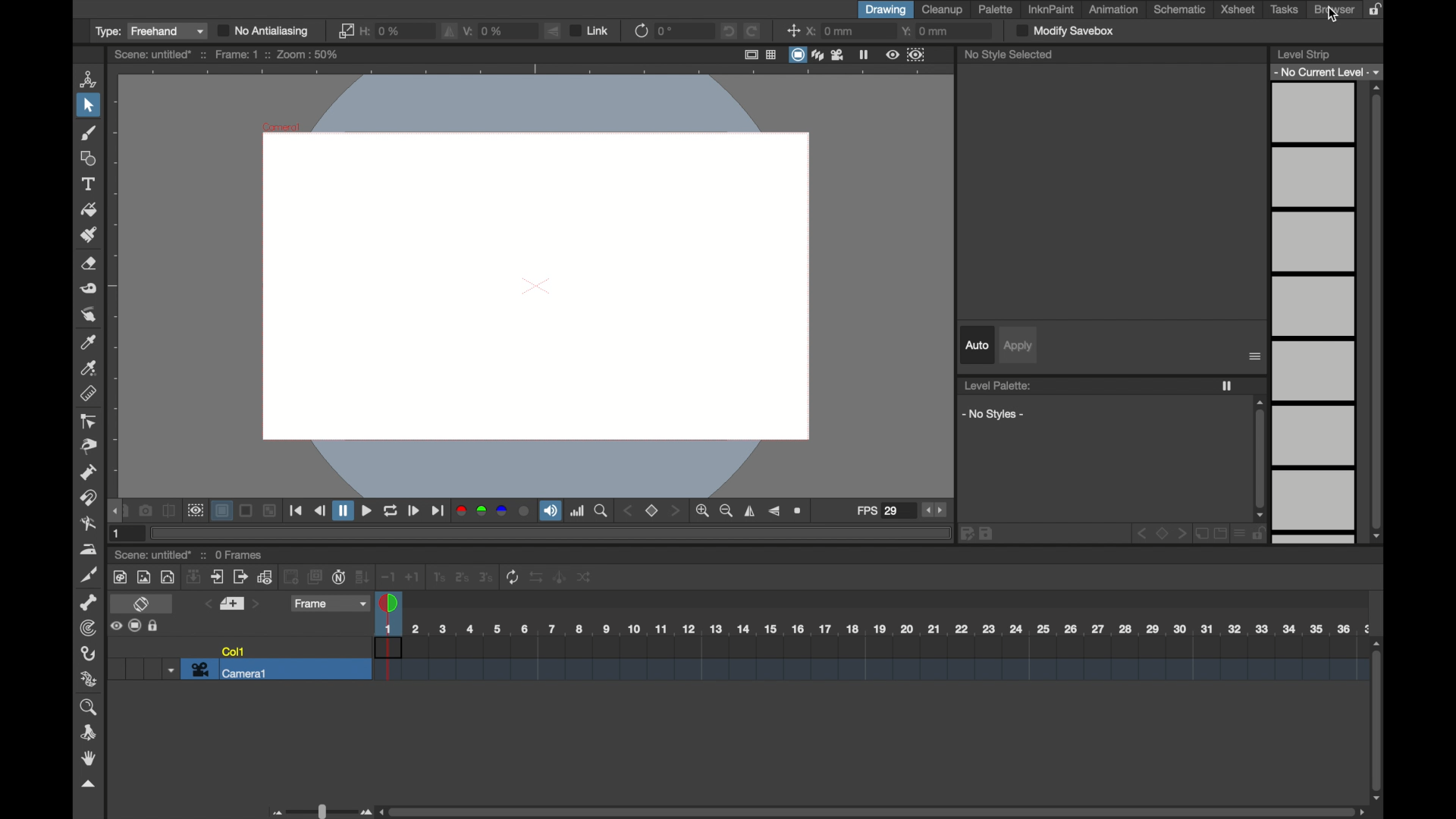 Image resolution: width=1456 pixels, height=819 pixels. I want to click on ruler tool, so click(89, 394).